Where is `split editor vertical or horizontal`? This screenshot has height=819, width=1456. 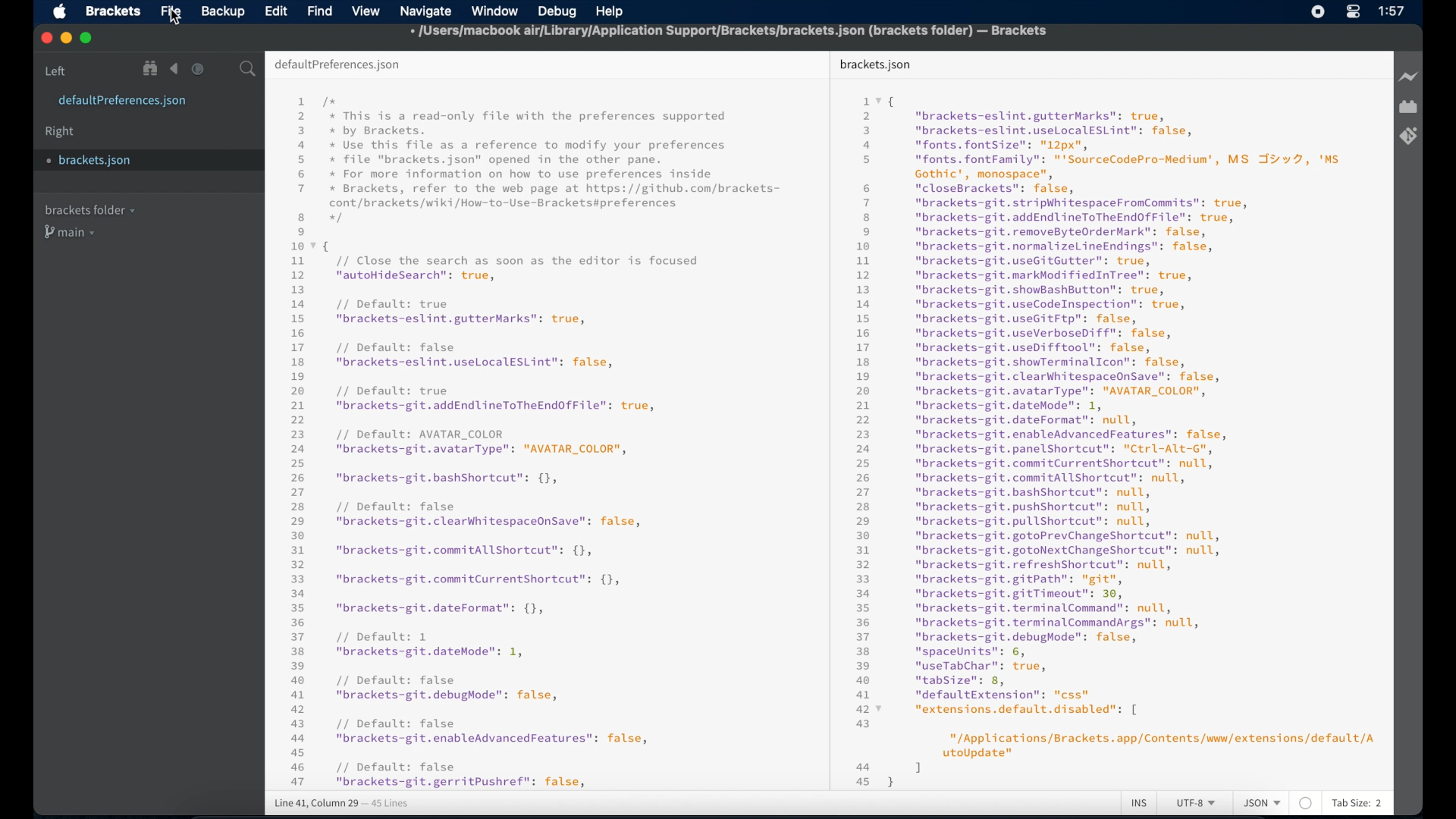
split editor vertical or horizontal is located at coordinates (222, 69).